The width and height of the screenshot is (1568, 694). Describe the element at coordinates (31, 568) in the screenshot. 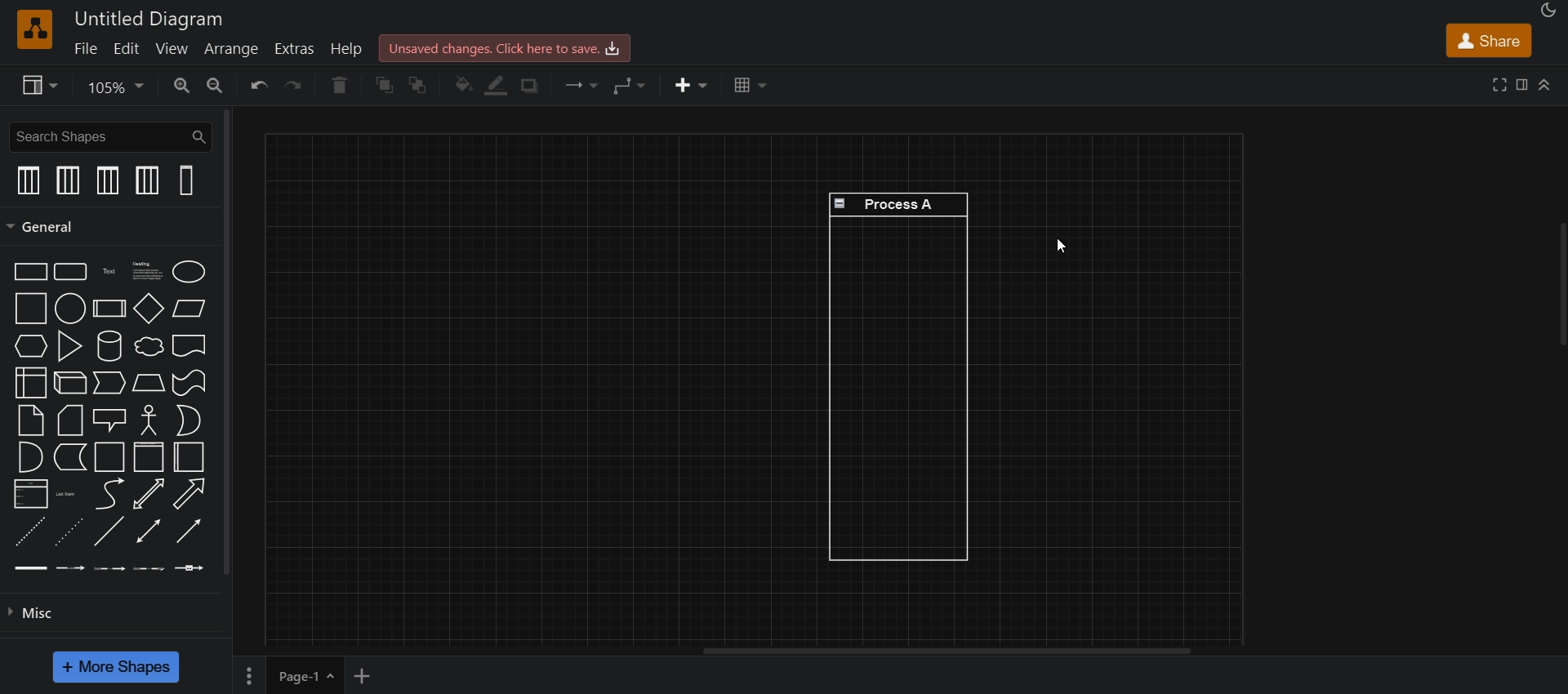

I see `link` at that location.